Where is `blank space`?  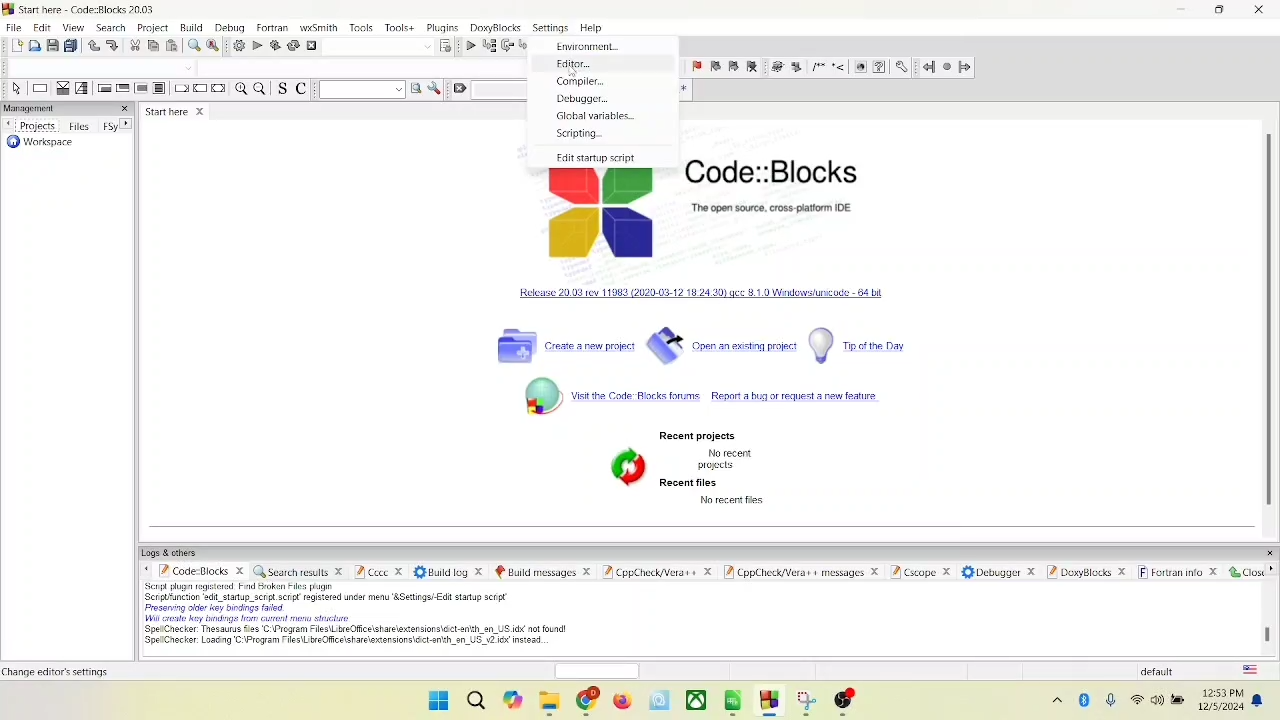
blank space is located at coordinates (501, 91).